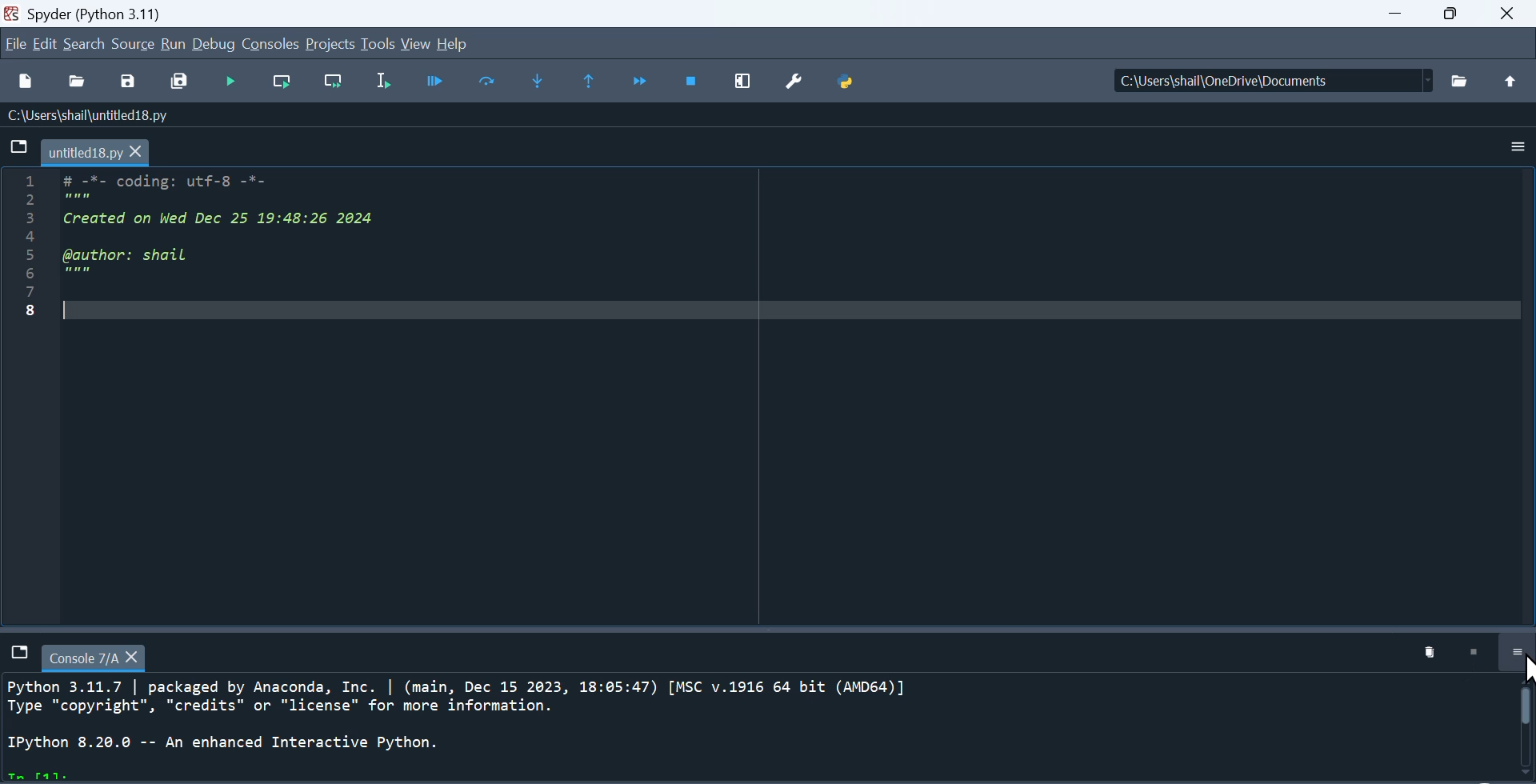  What do you see at coordinates (1392, 14) in the screenshot?
I see `minimize` at bounding box center [1392, 14].